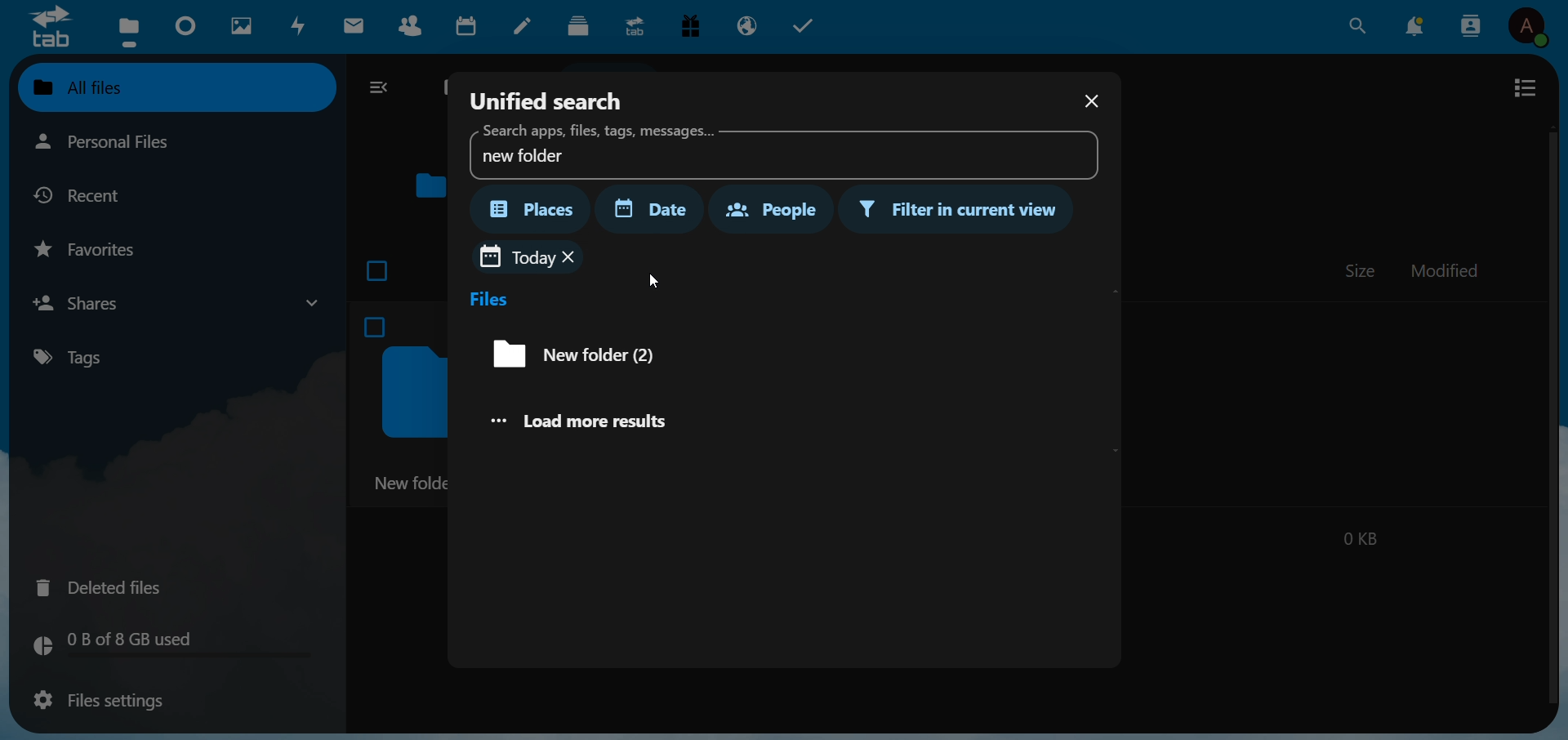  What do you see at coordinates (1356, 25) in the screenshot?
I see `search` at bounding box center [1356, 25].